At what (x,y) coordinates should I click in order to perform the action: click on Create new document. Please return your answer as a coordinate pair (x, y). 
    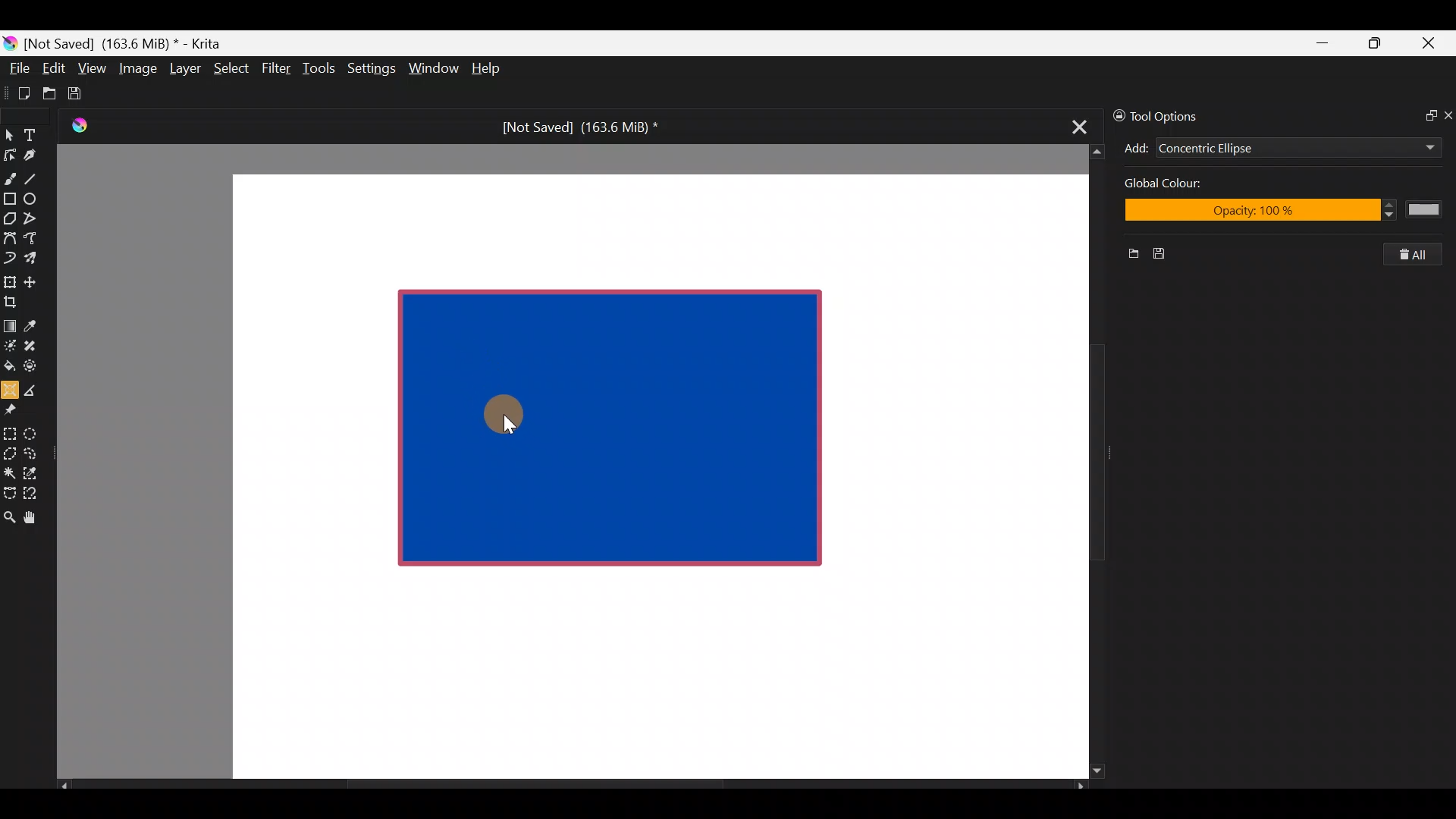
    Looking at the image, I should click on (19, 93).